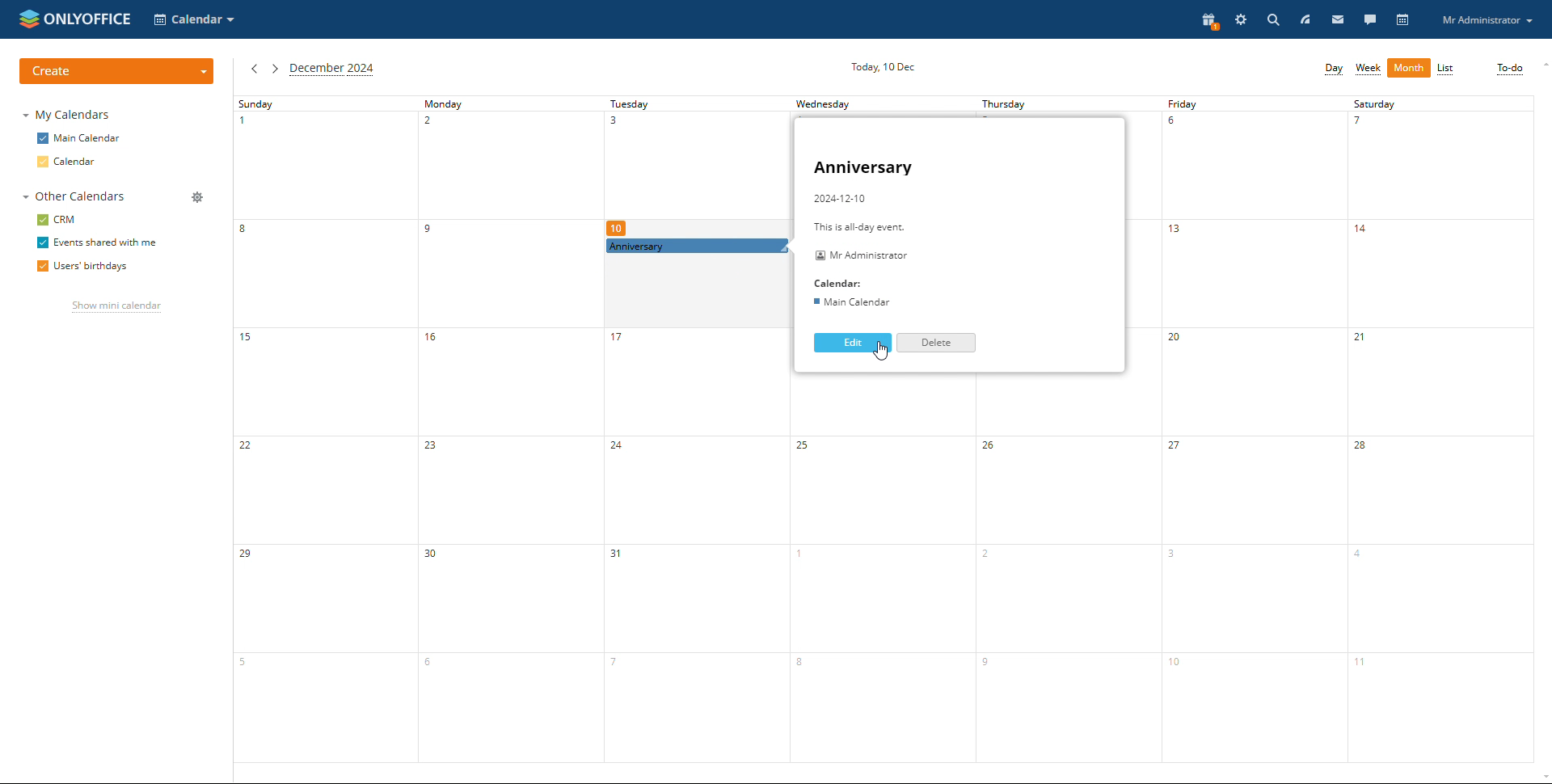 Image resolution: width=1552 pixels, height=784 pixels. Describe the element at coordinates (688, 169) in the screenshot. I see `tuesday` at that location.